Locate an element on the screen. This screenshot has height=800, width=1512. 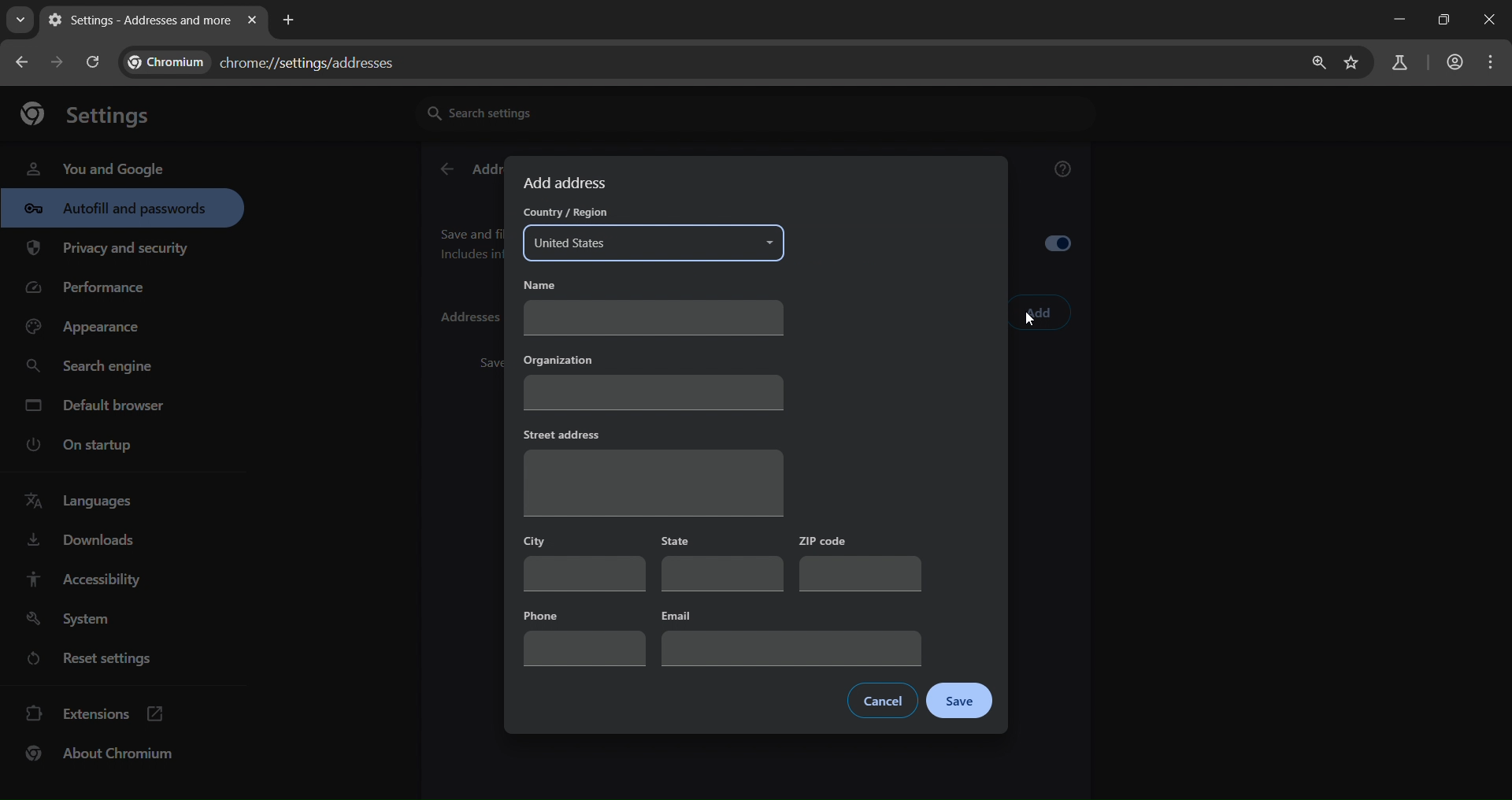
search settings is located at coordinates (563, 112).